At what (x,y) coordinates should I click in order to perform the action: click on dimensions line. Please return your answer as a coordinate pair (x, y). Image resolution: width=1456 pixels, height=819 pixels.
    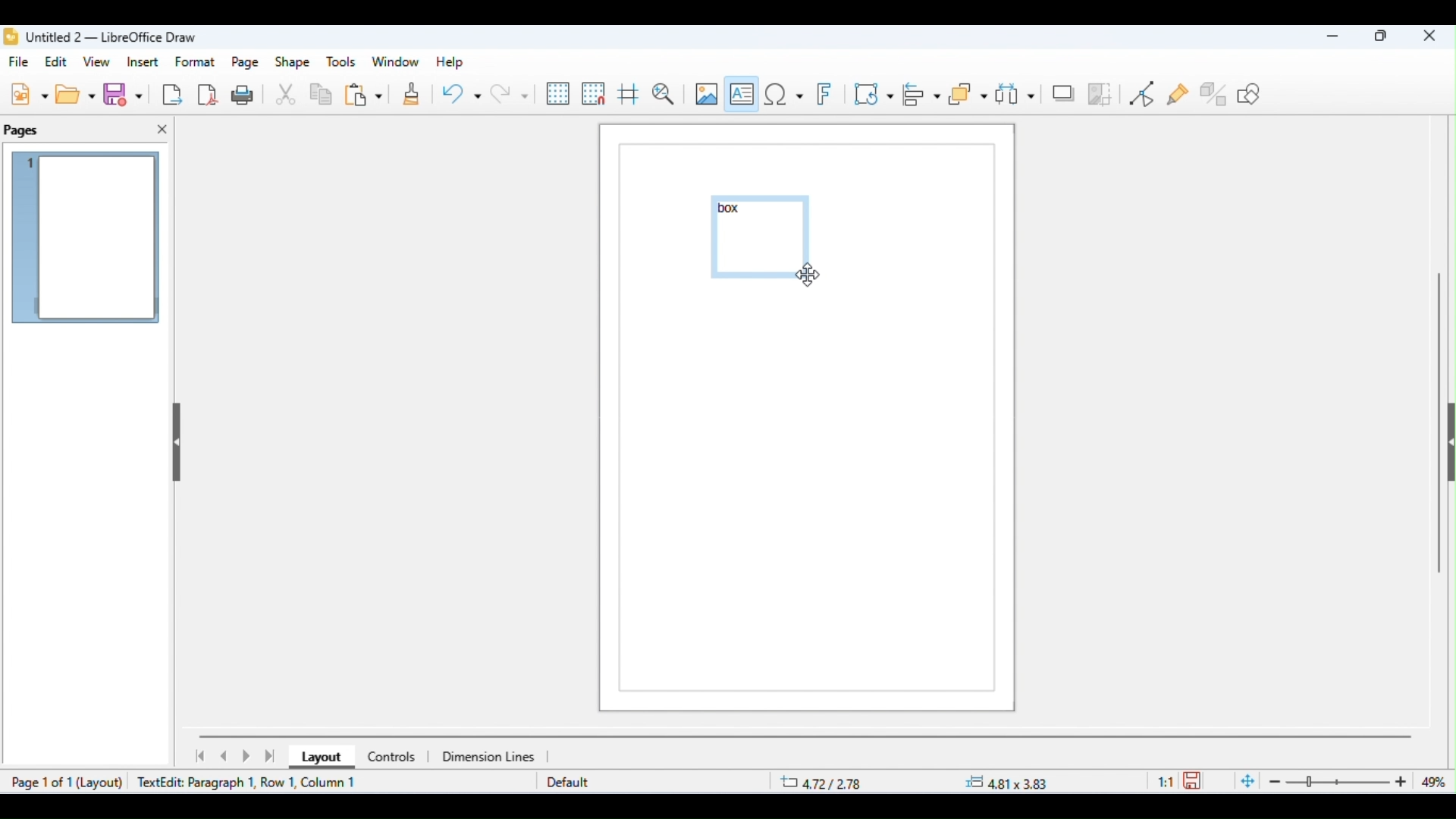
    Looking at the image, I should click on (491, 756).